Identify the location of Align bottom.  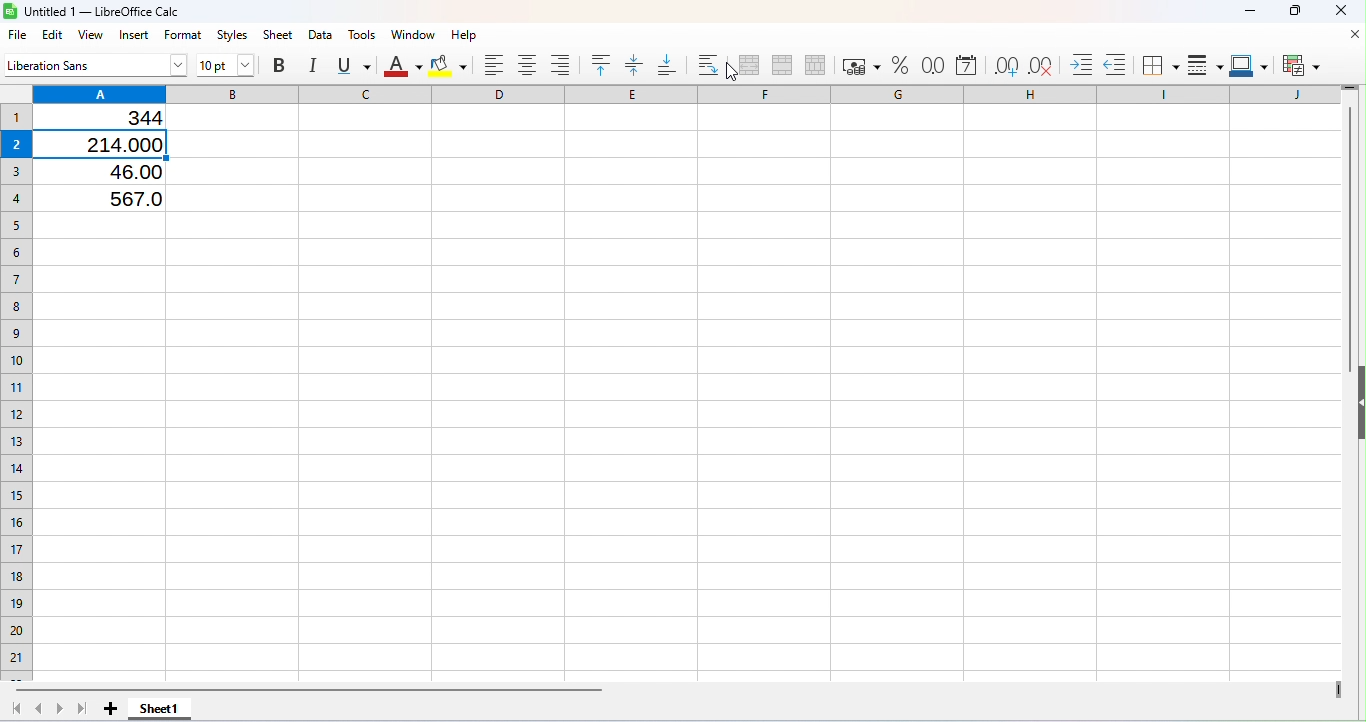
(667, 62).